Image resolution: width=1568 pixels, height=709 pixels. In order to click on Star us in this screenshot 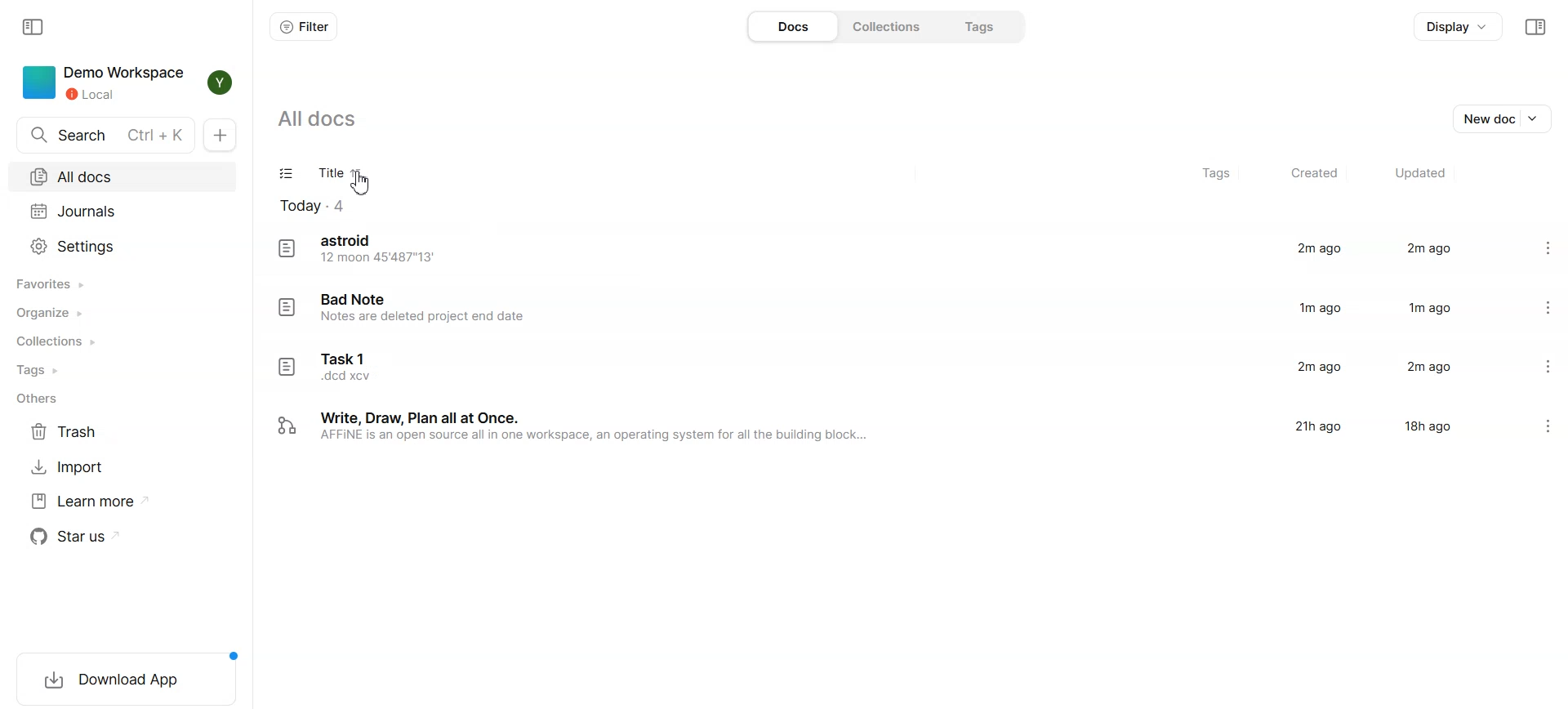, I will do `click(87, 536)`.